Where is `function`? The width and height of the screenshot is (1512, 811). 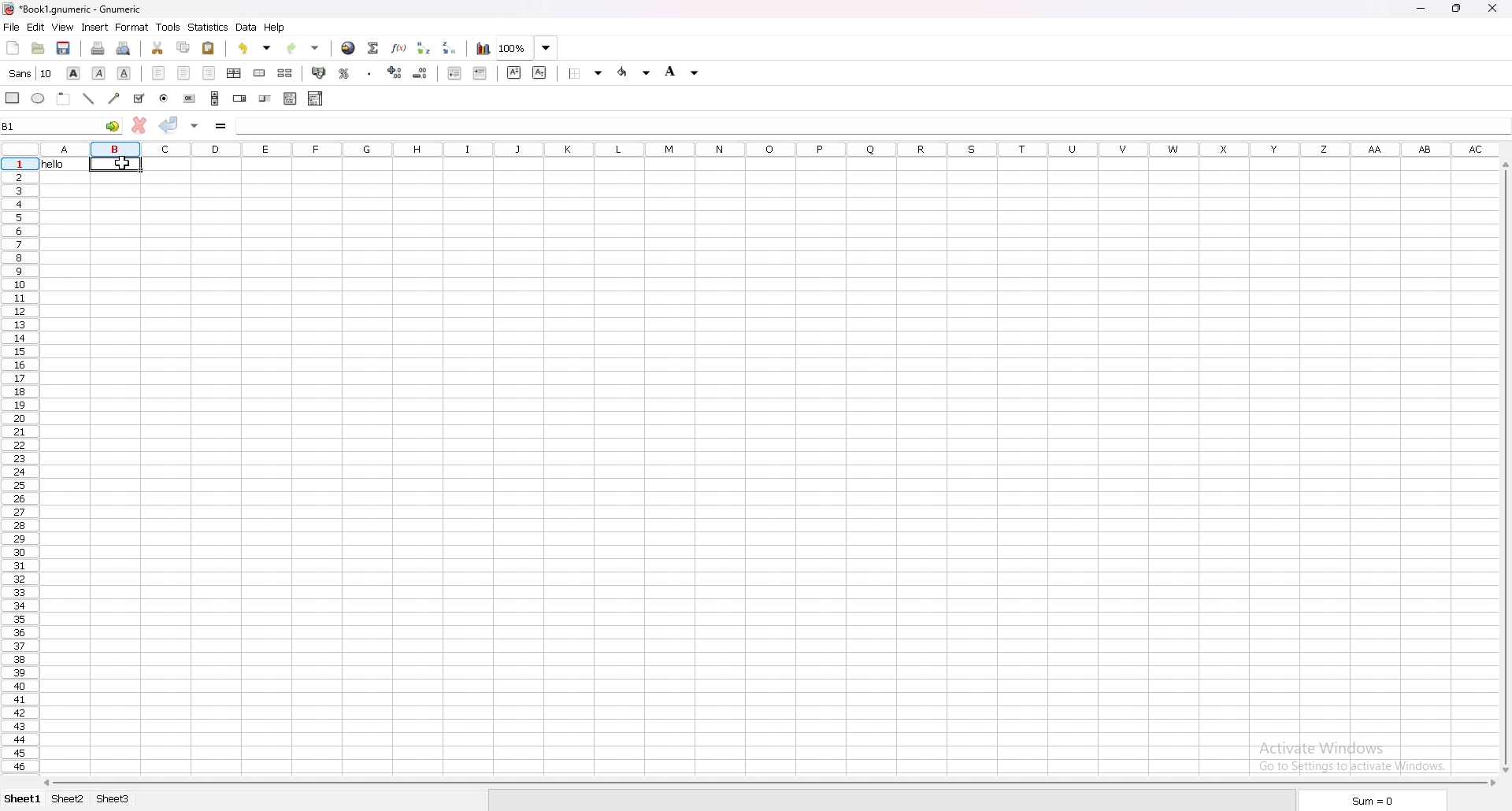 function is located at coordinates (399, 47).